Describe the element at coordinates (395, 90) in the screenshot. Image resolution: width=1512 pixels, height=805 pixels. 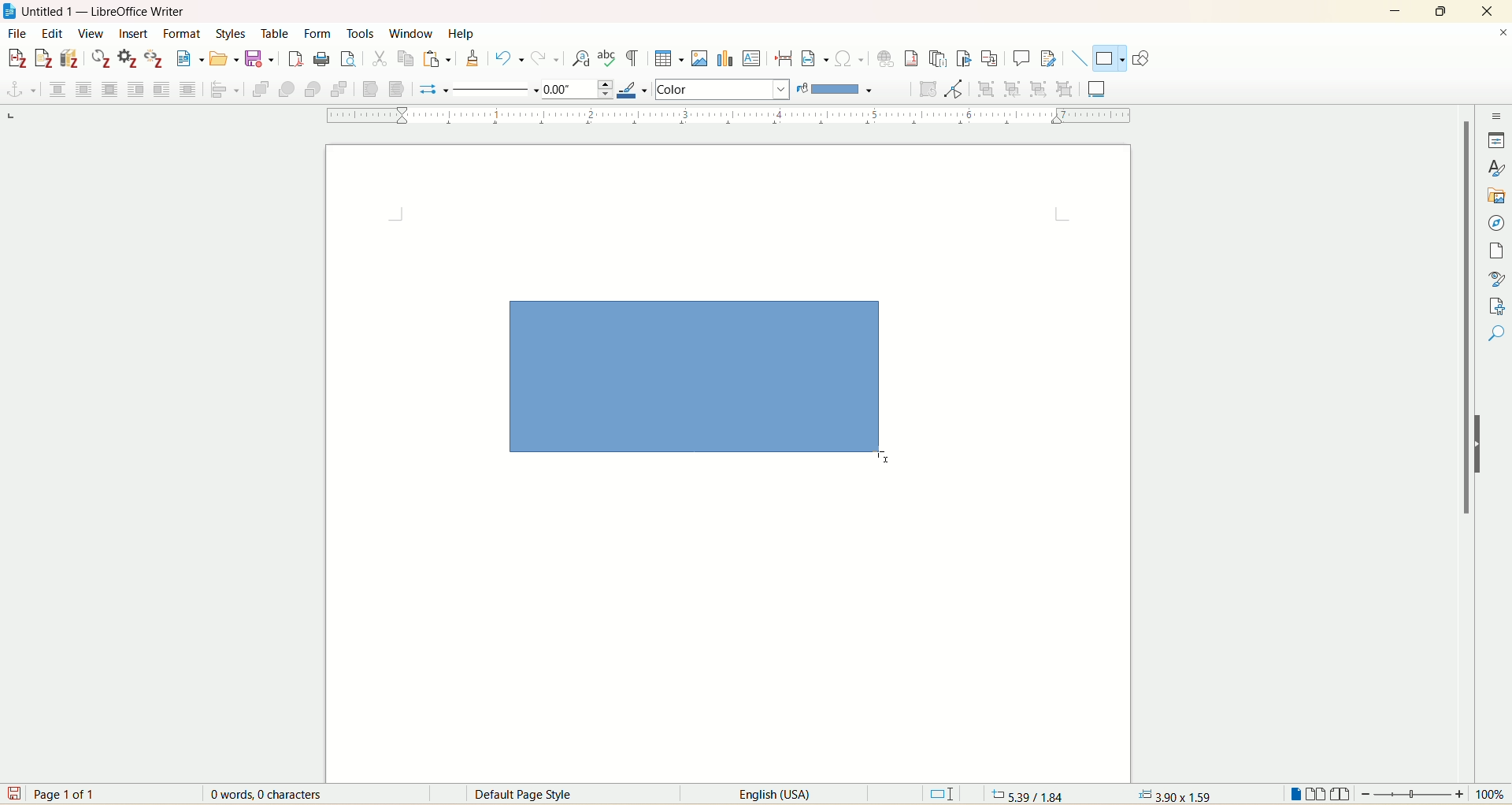
I see `to background` at that location.